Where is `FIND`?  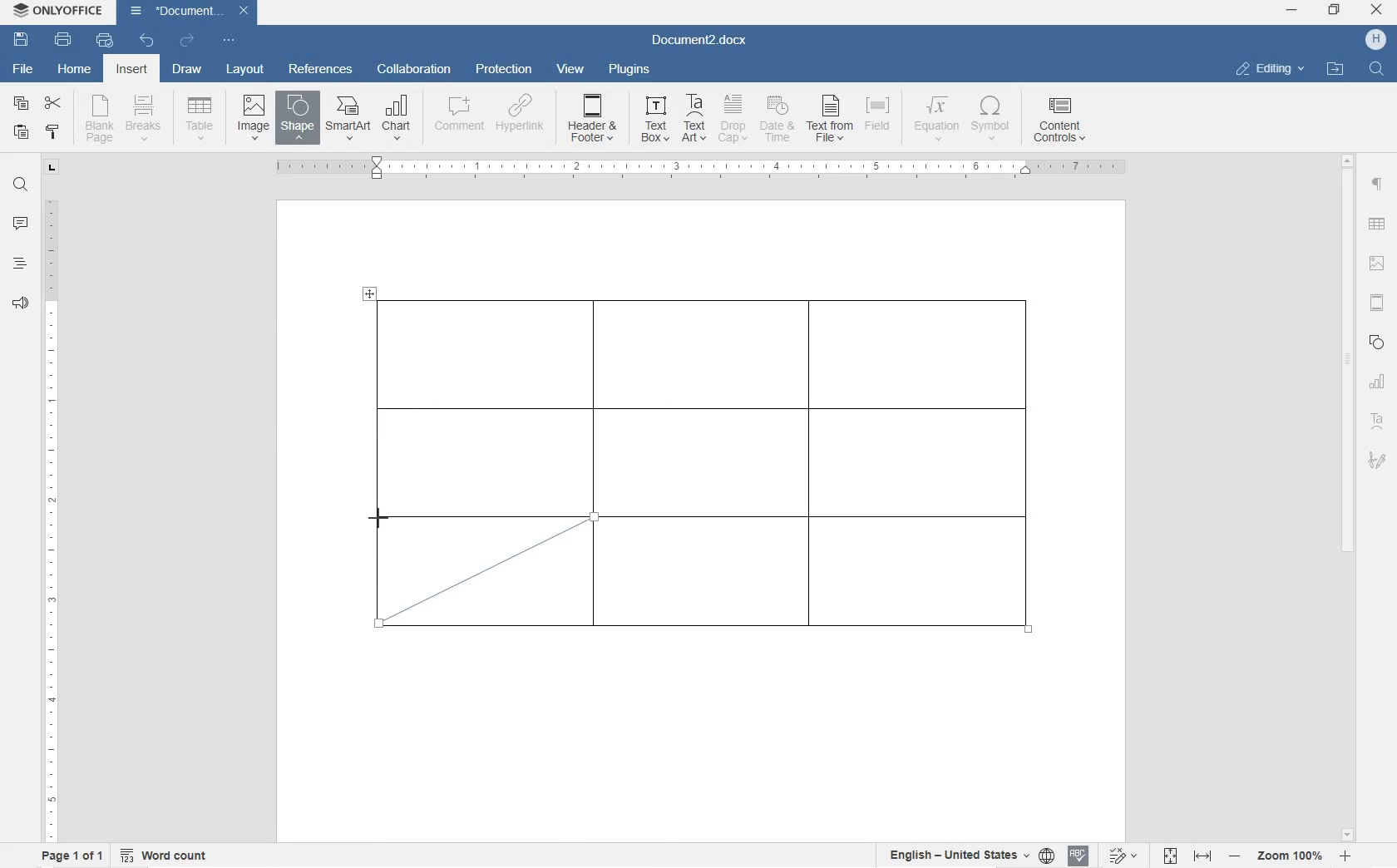
FIND is located at coordinates (1378, 68).